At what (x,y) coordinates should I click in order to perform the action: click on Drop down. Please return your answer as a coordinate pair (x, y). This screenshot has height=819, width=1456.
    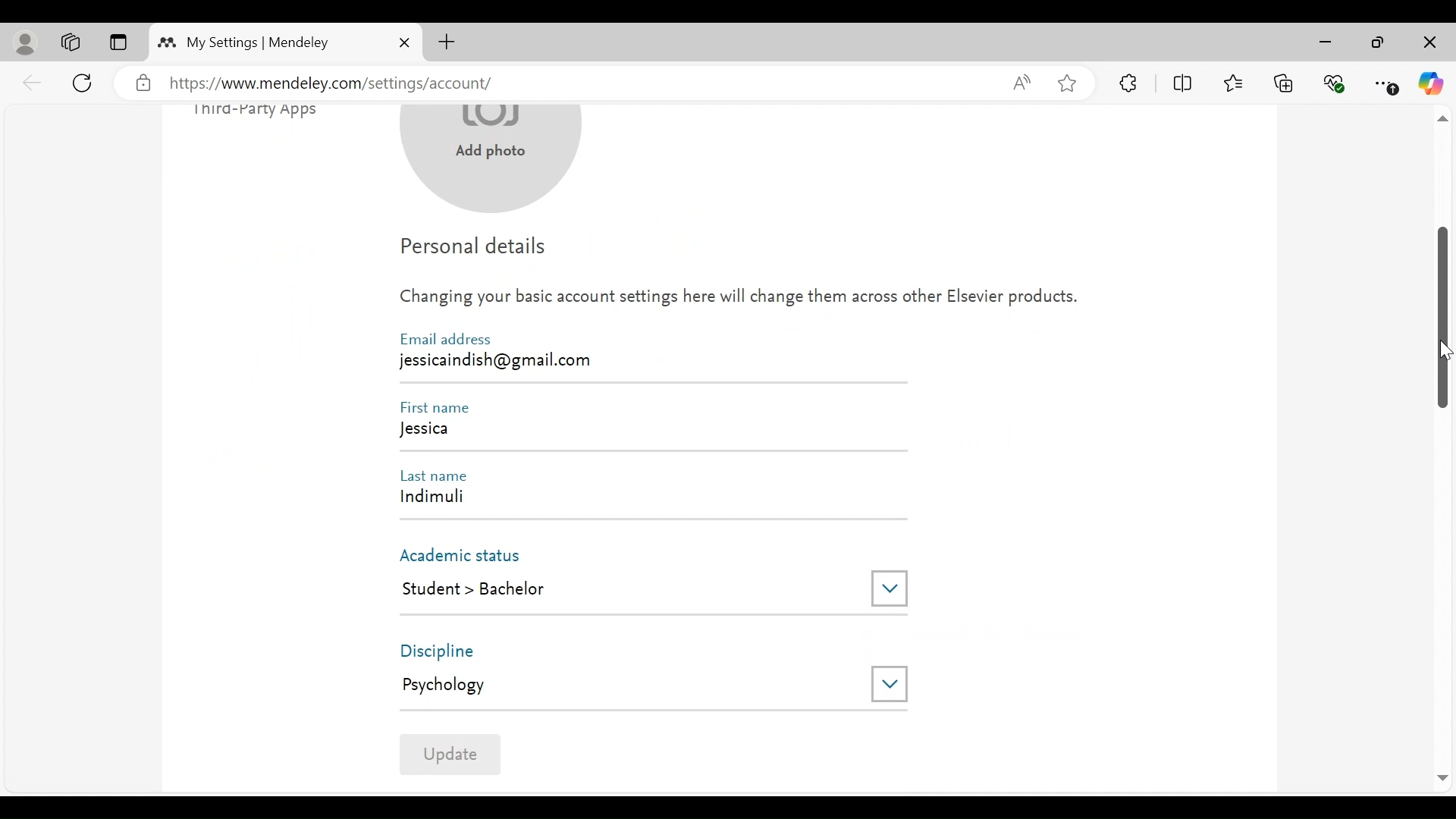
    Looking at the image, I should click on (890, 588).